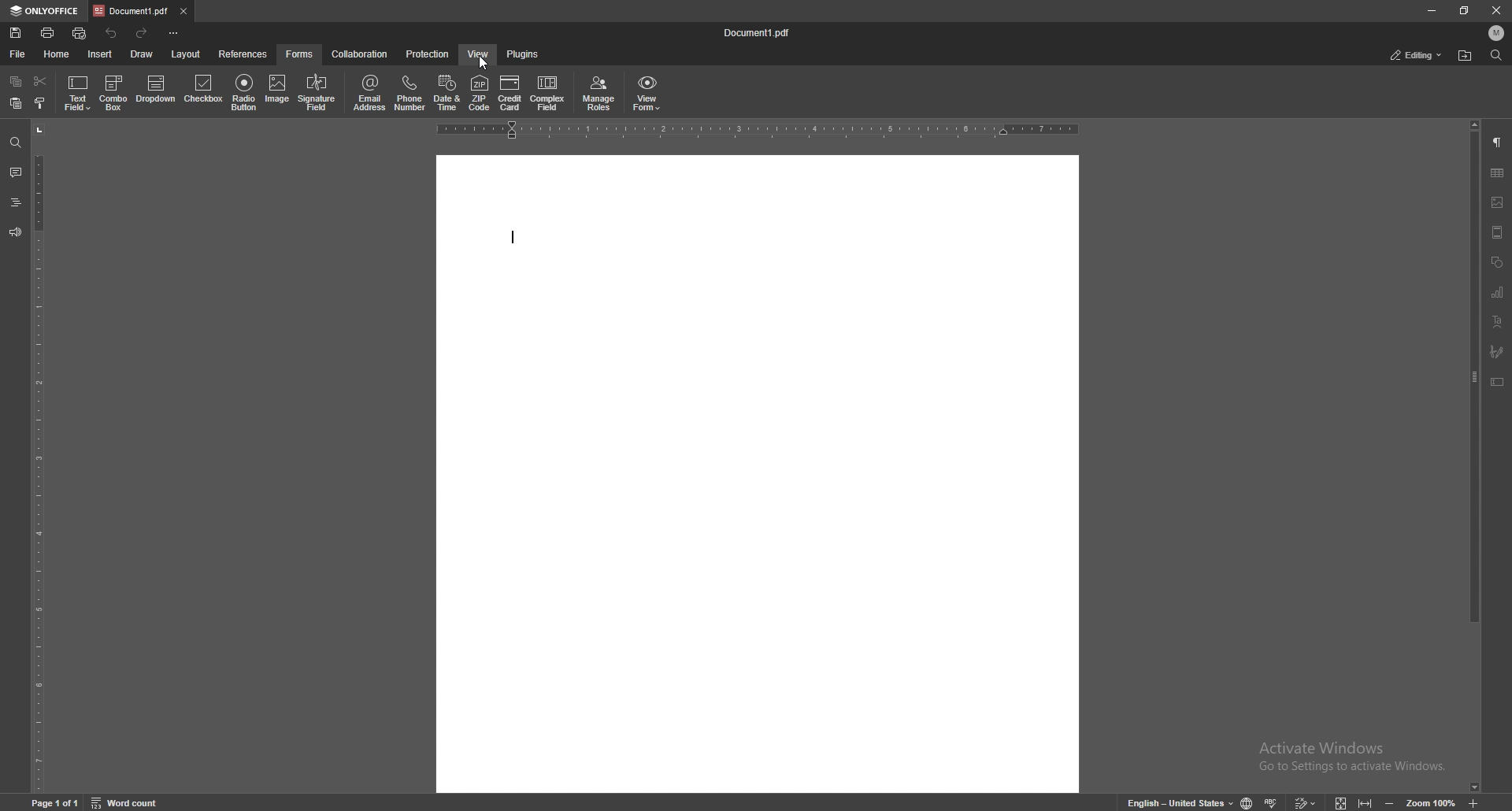  Describe the element at coordinates (1497, 292) in the screenshot. I see `chart` at that location.